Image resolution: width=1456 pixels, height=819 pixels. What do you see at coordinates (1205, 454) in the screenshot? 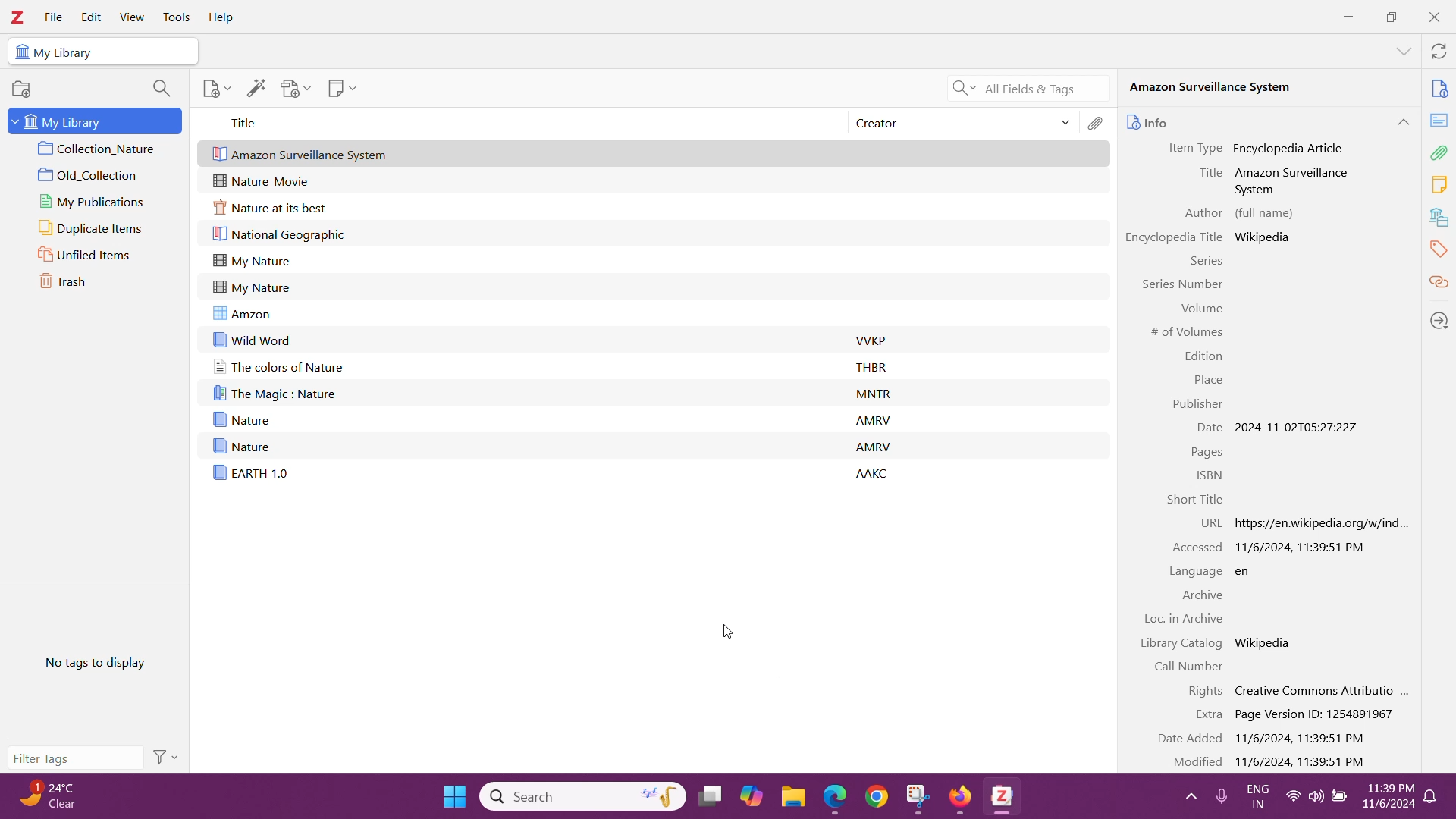
I see `Pages` at bounding box center [1205, 454].